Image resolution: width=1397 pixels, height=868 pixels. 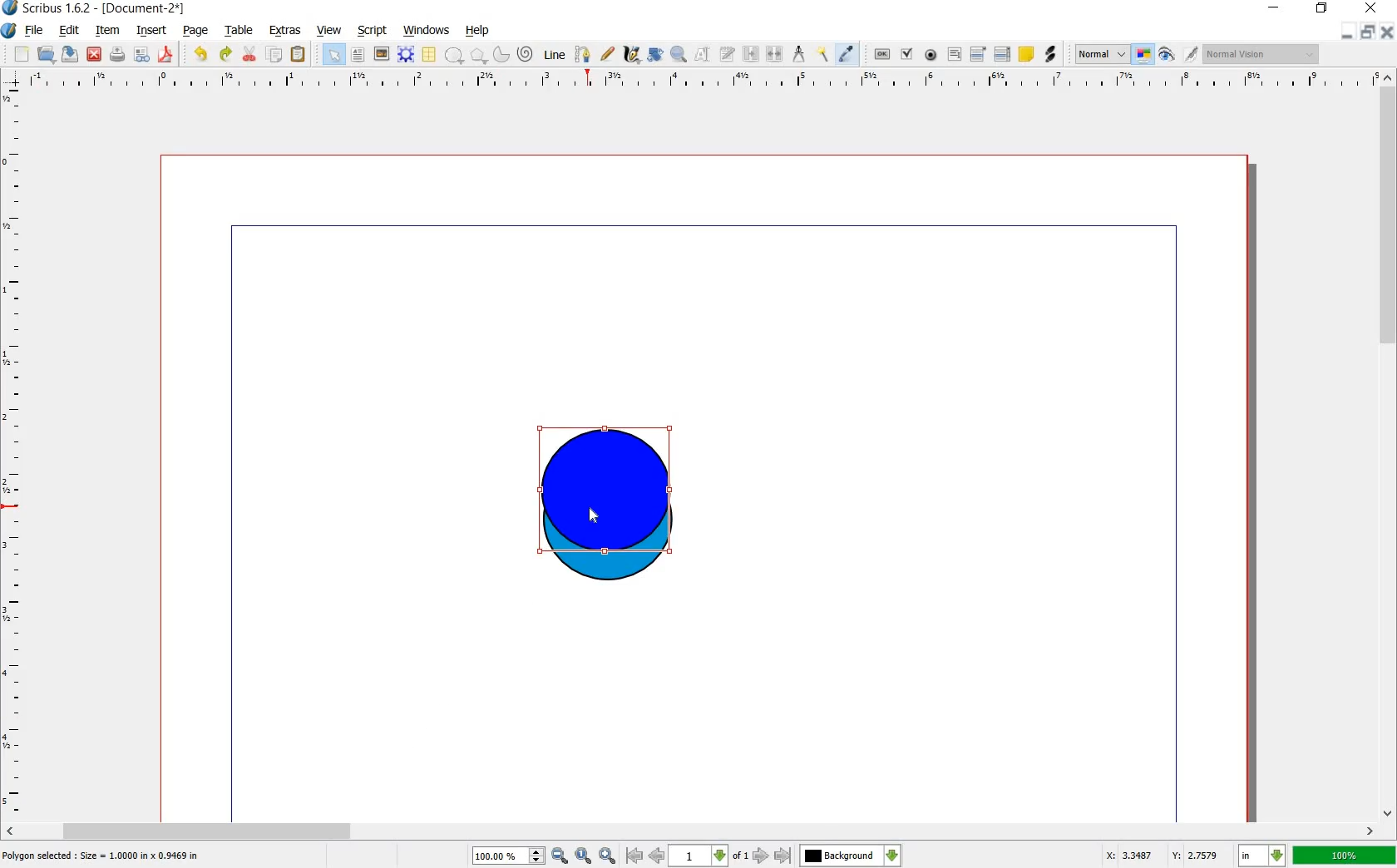 What do you see at coordinates (1374, 8) in the screenshot?
I see `close` at bounding box center [1374, 8].